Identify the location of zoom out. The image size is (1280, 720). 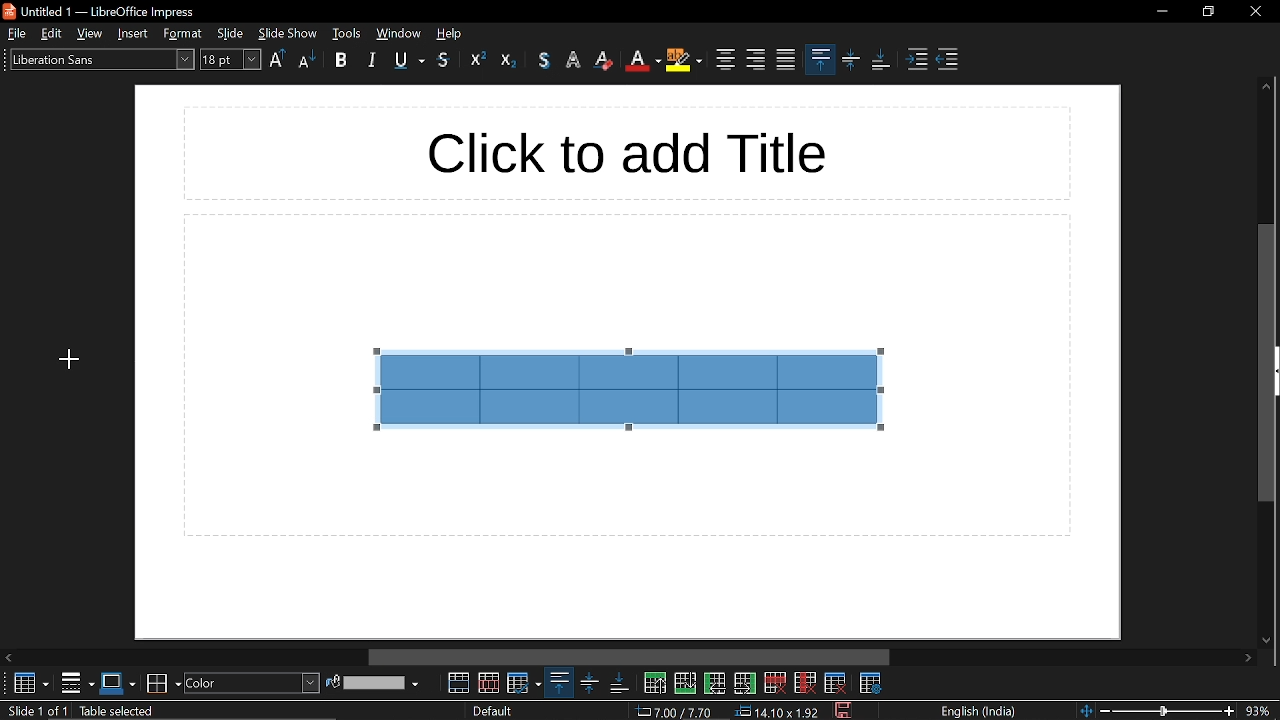
(1107, 710).